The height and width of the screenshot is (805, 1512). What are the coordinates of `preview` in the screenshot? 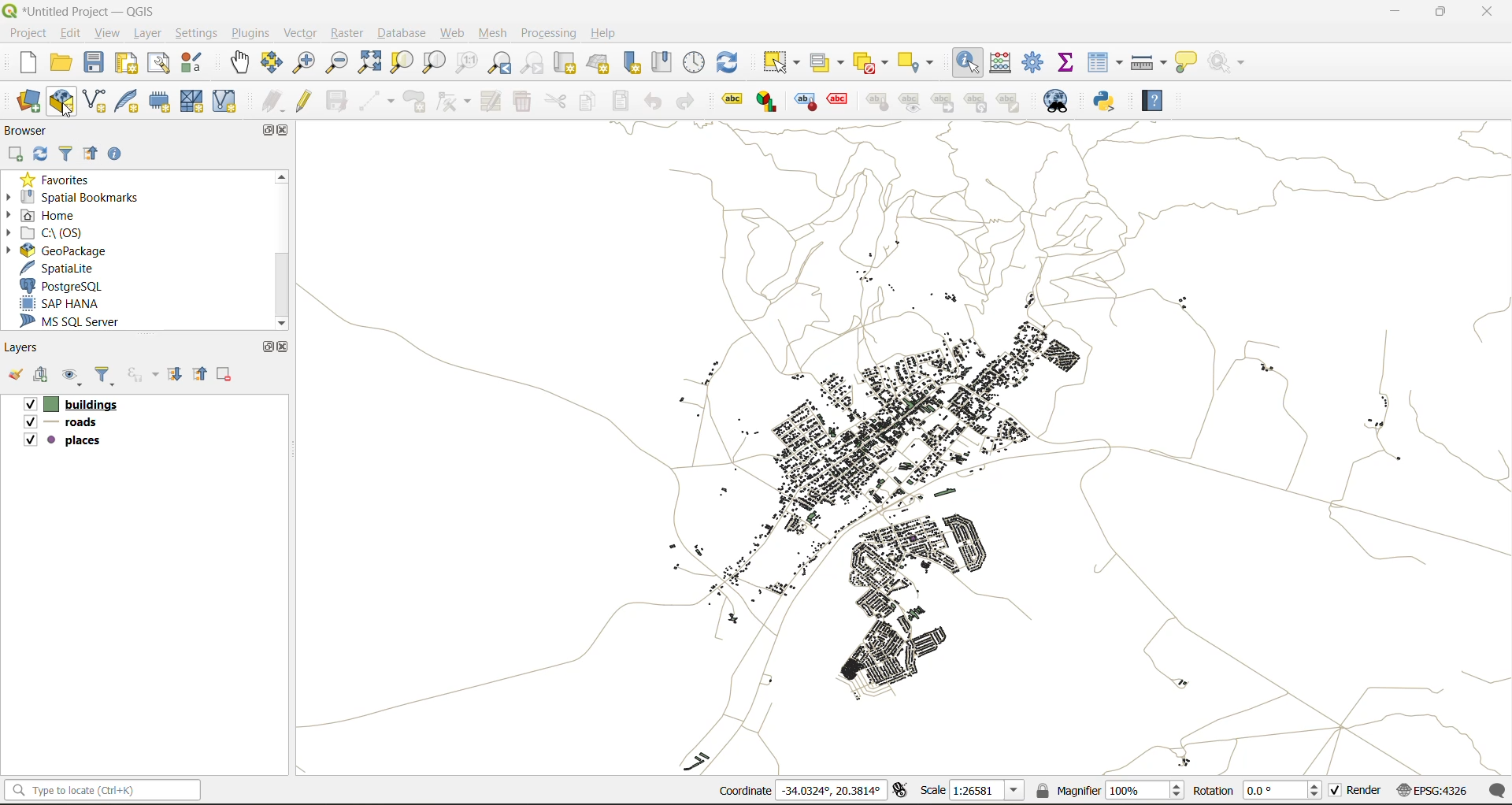 It's located at (910, 103).